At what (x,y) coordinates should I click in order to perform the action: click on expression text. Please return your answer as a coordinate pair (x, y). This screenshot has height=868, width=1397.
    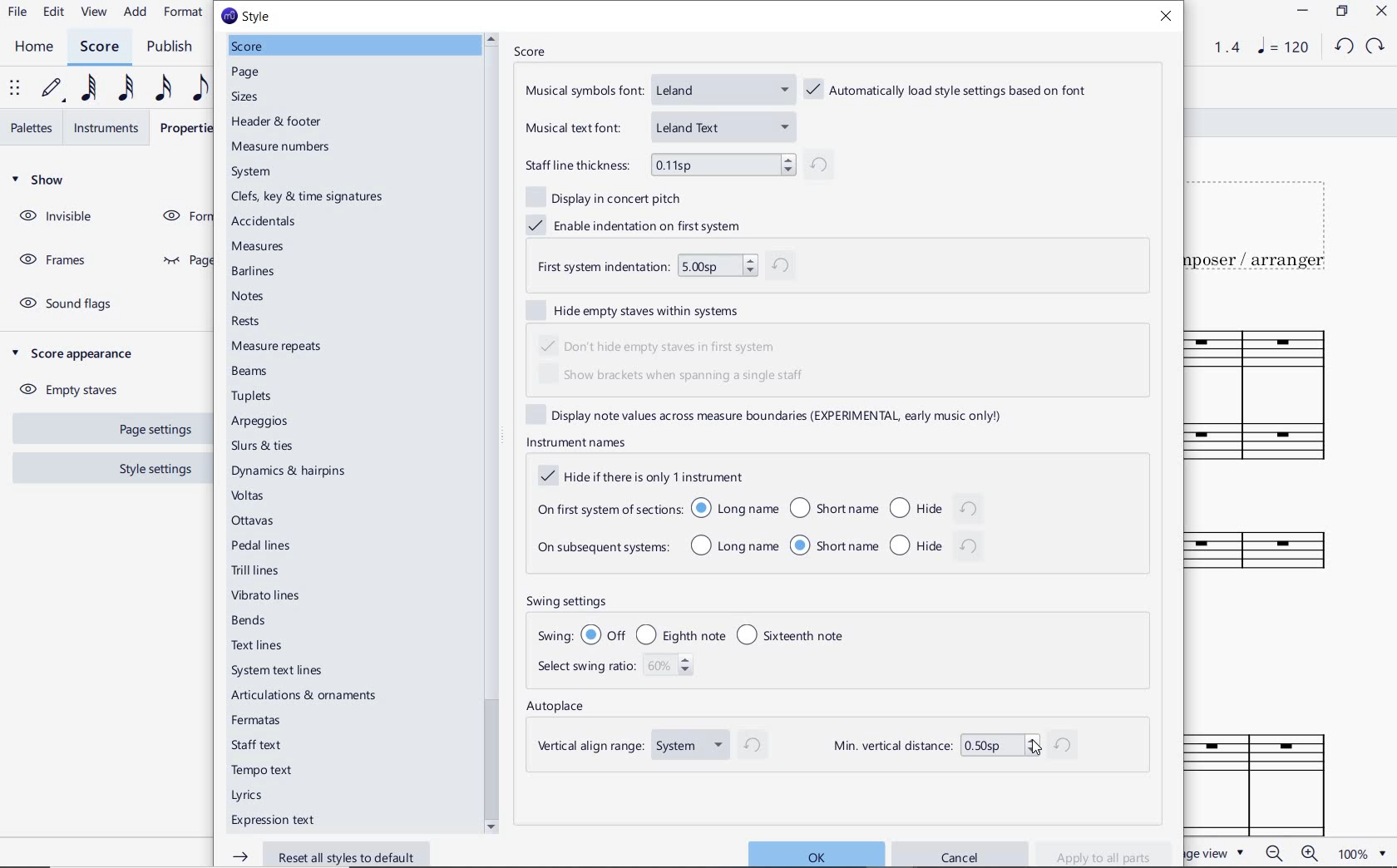
    Looking at the image, I should click on (271, 821).